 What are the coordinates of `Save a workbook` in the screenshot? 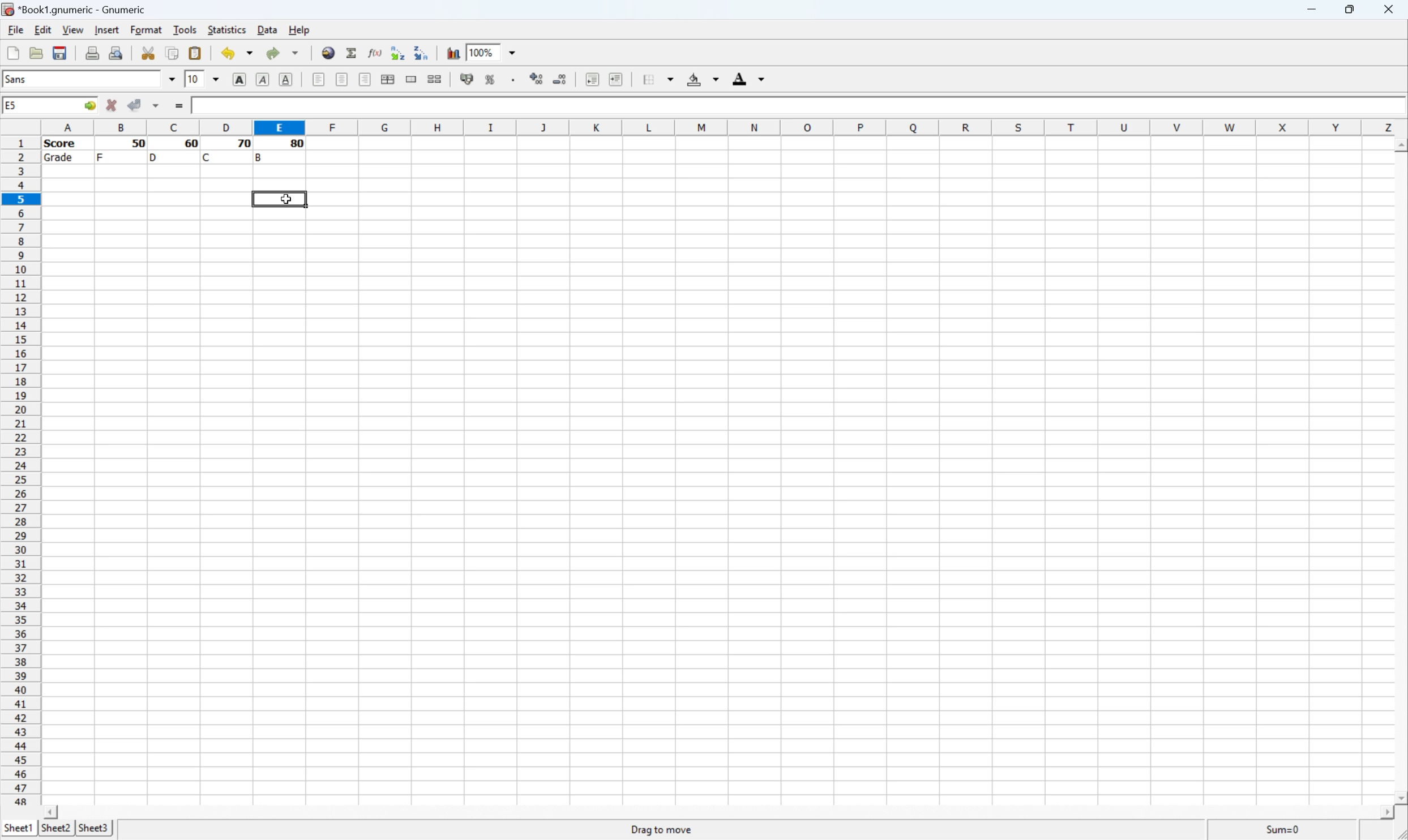 It's located at (62, 50).